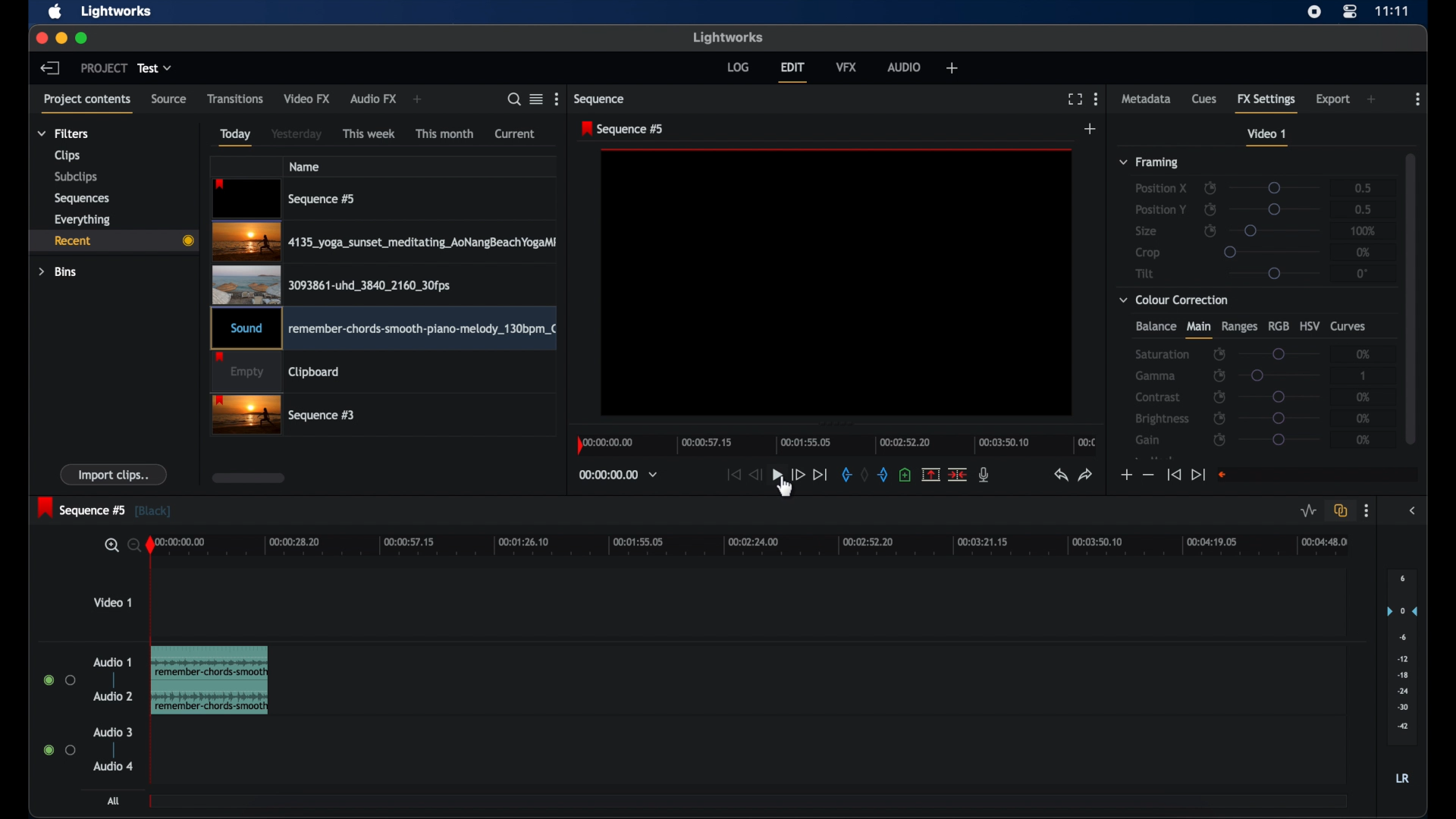  Describe the element at coordinates (755, 475) in the screenshot. I see `rewind` at that location.